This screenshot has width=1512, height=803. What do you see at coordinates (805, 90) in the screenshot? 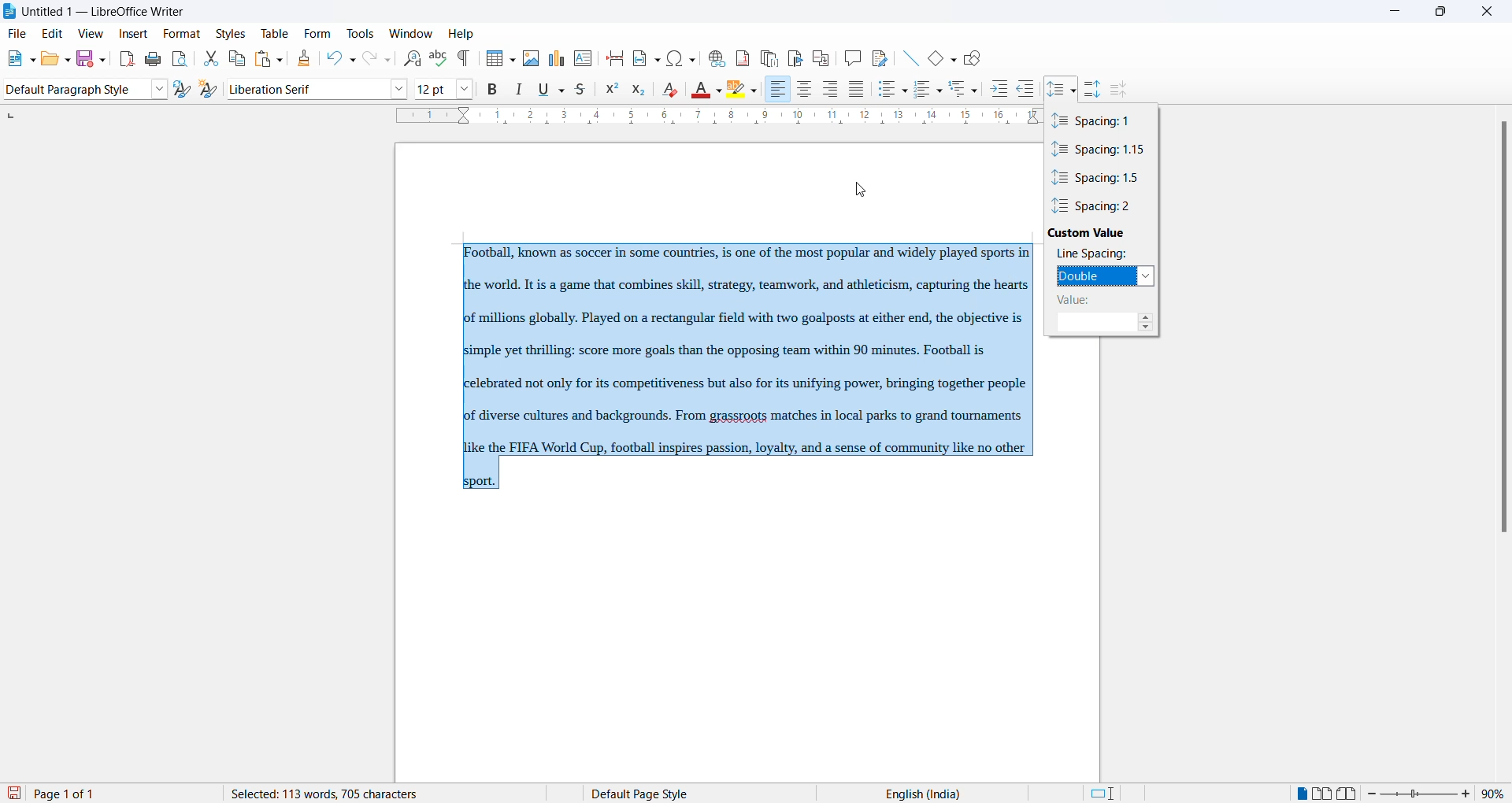
I see `text align center` at bounding box center [805, 90].